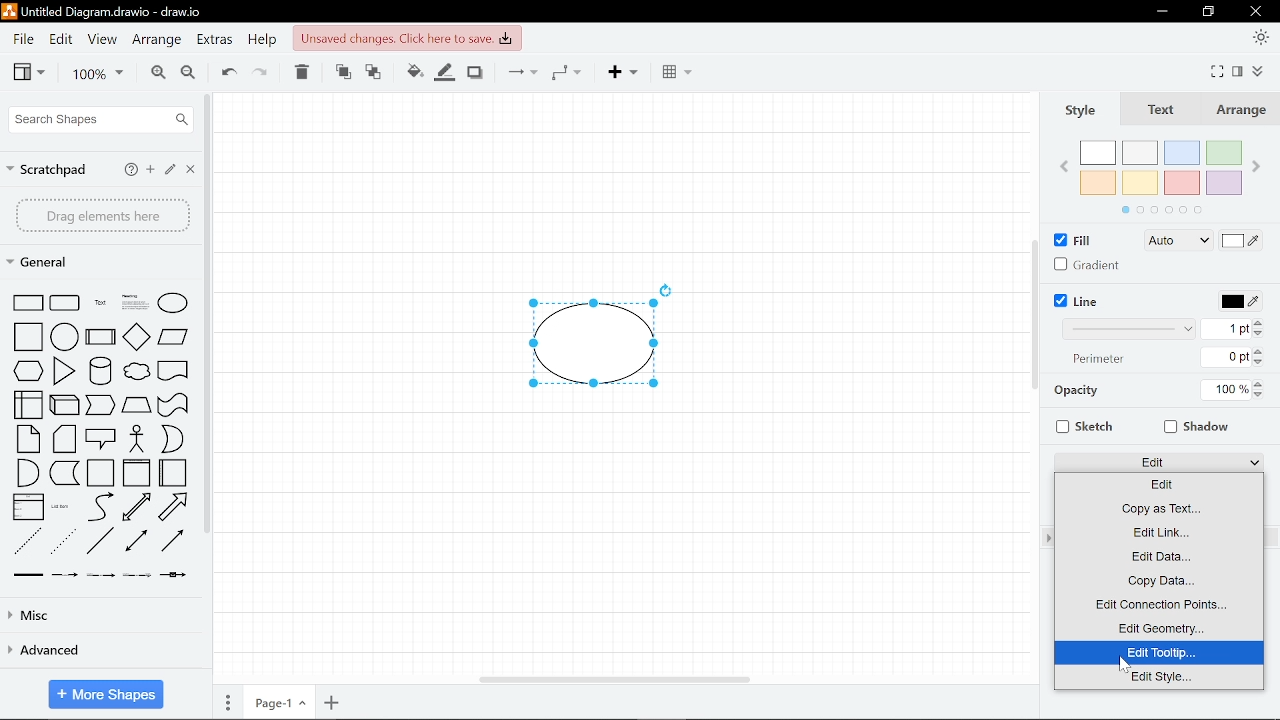 This screenshot has height=720, width=1280. What do you see at coordinates (1178, 242) in the screenshot?
I see `Fill settings` at bounding box center [1178, 242].